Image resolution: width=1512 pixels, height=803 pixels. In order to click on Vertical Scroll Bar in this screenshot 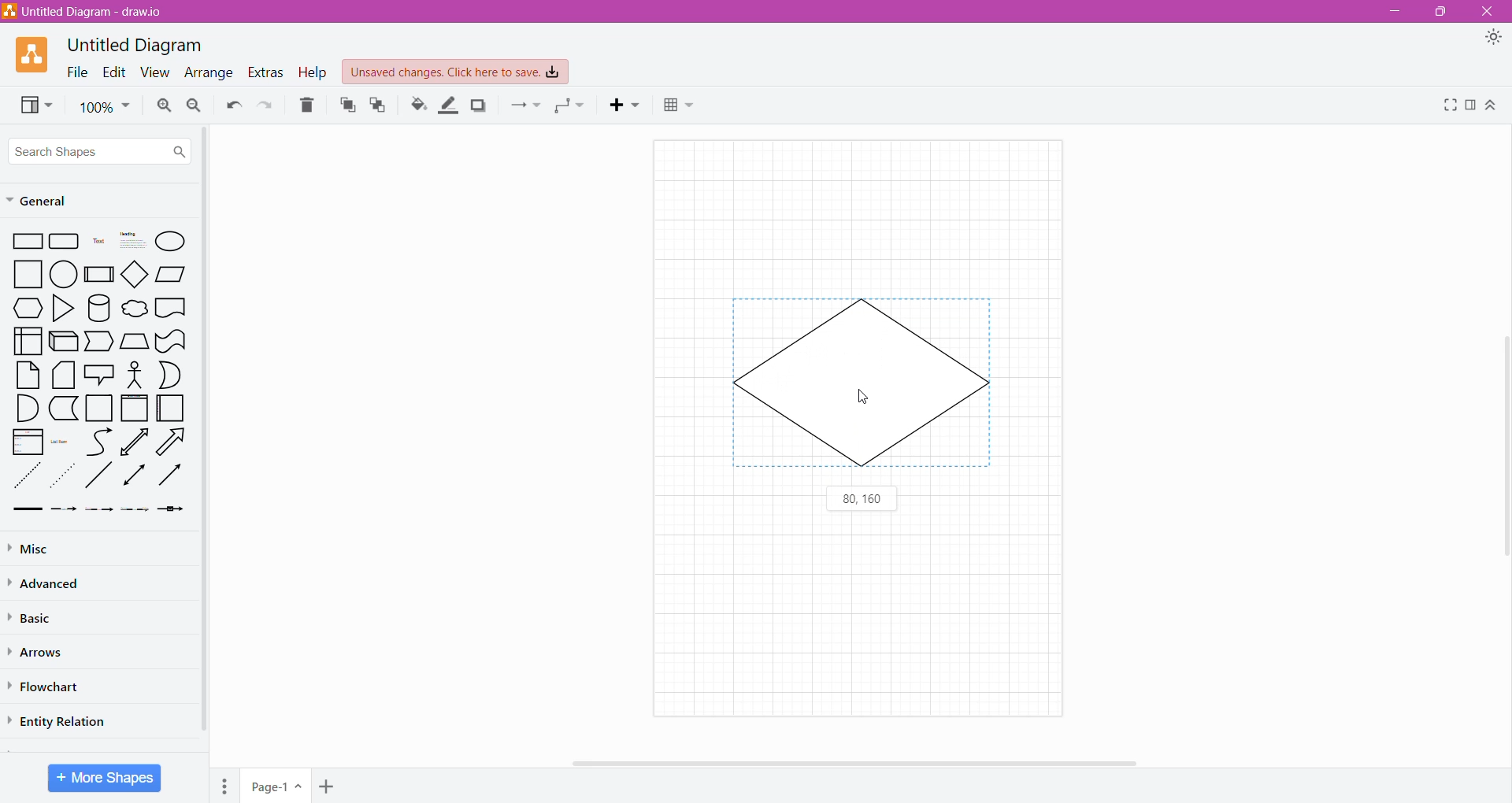, I will do `click(1502, 439)`.